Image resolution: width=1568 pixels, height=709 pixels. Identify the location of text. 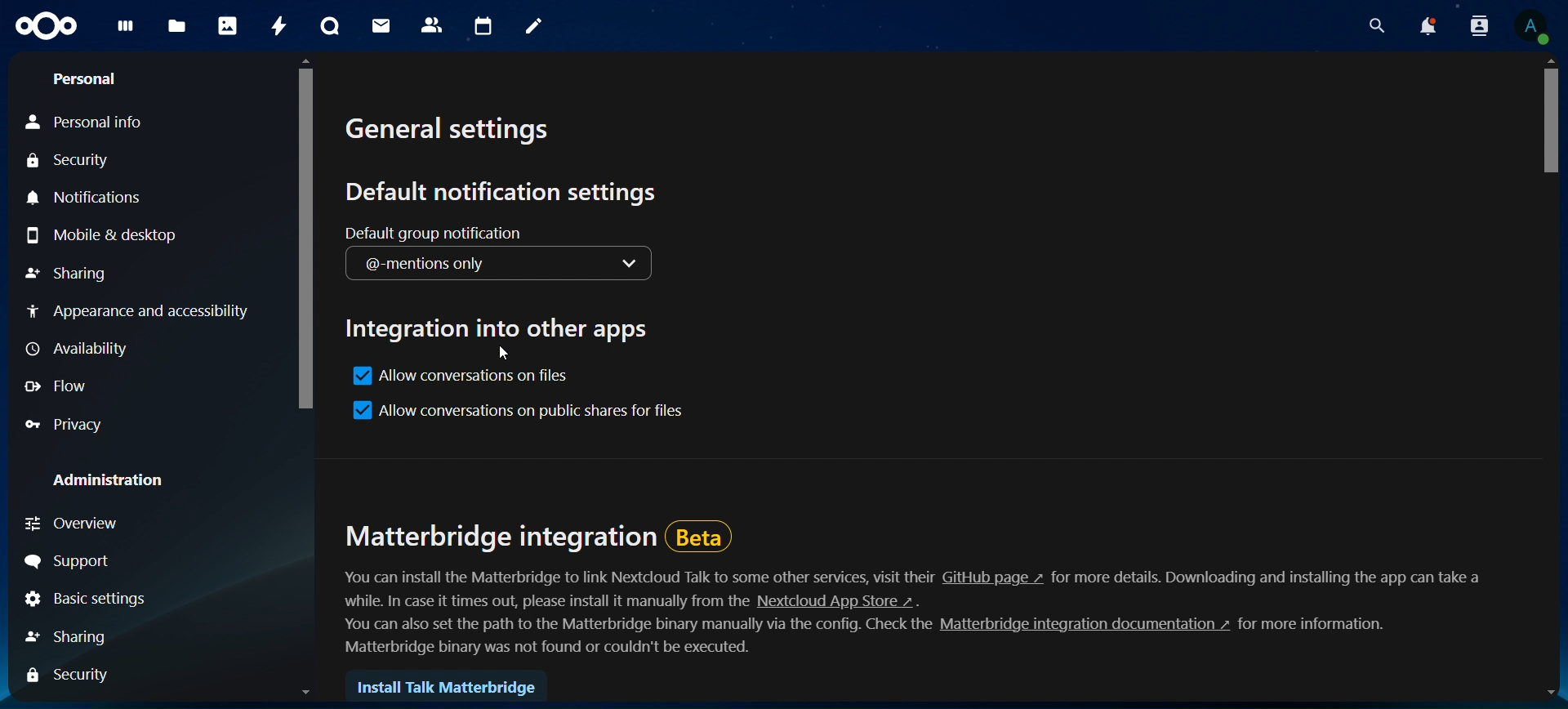
(552, 649).